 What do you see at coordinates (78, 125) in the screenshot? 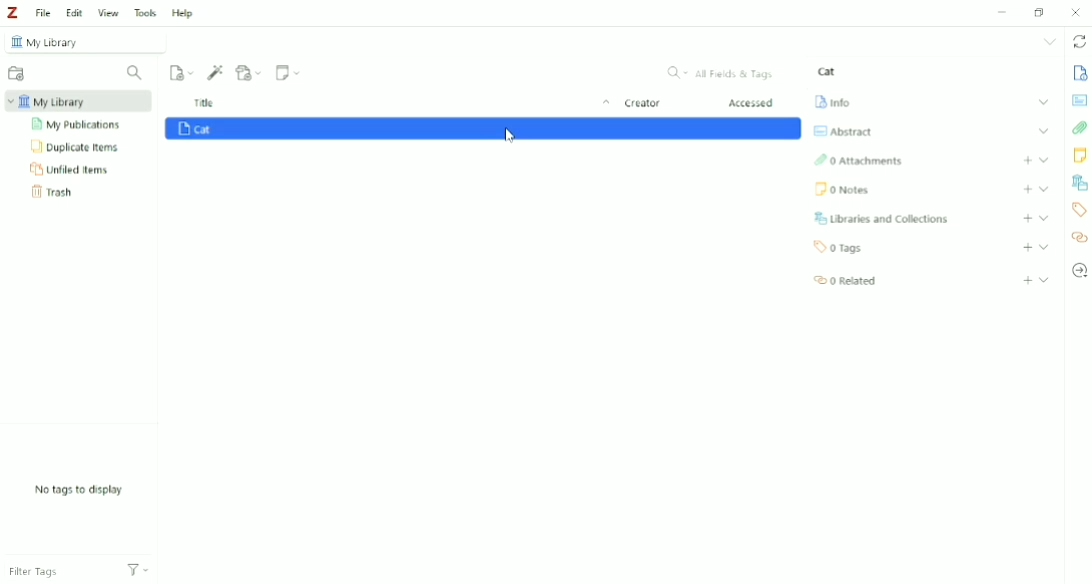
I see `My Publications` at bounding box center [78, 125].